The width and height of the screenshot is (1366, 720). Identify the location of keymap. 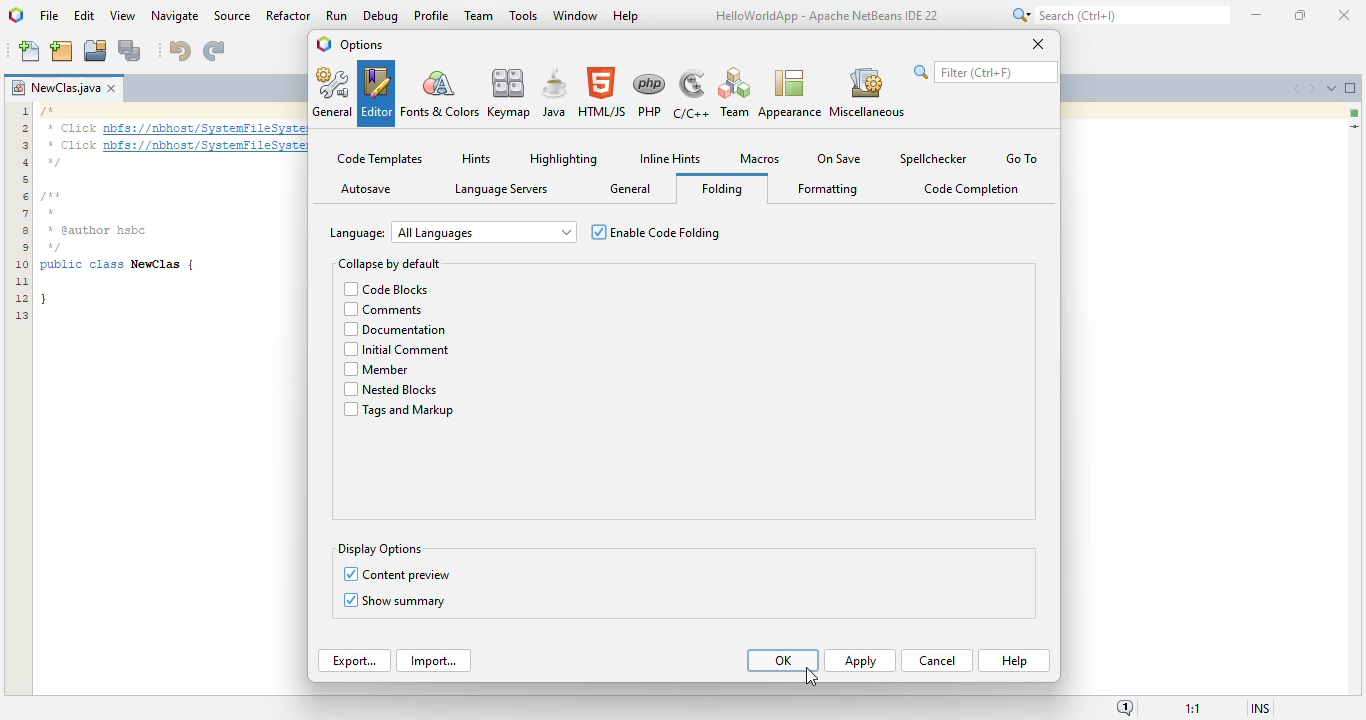
(510, 93).